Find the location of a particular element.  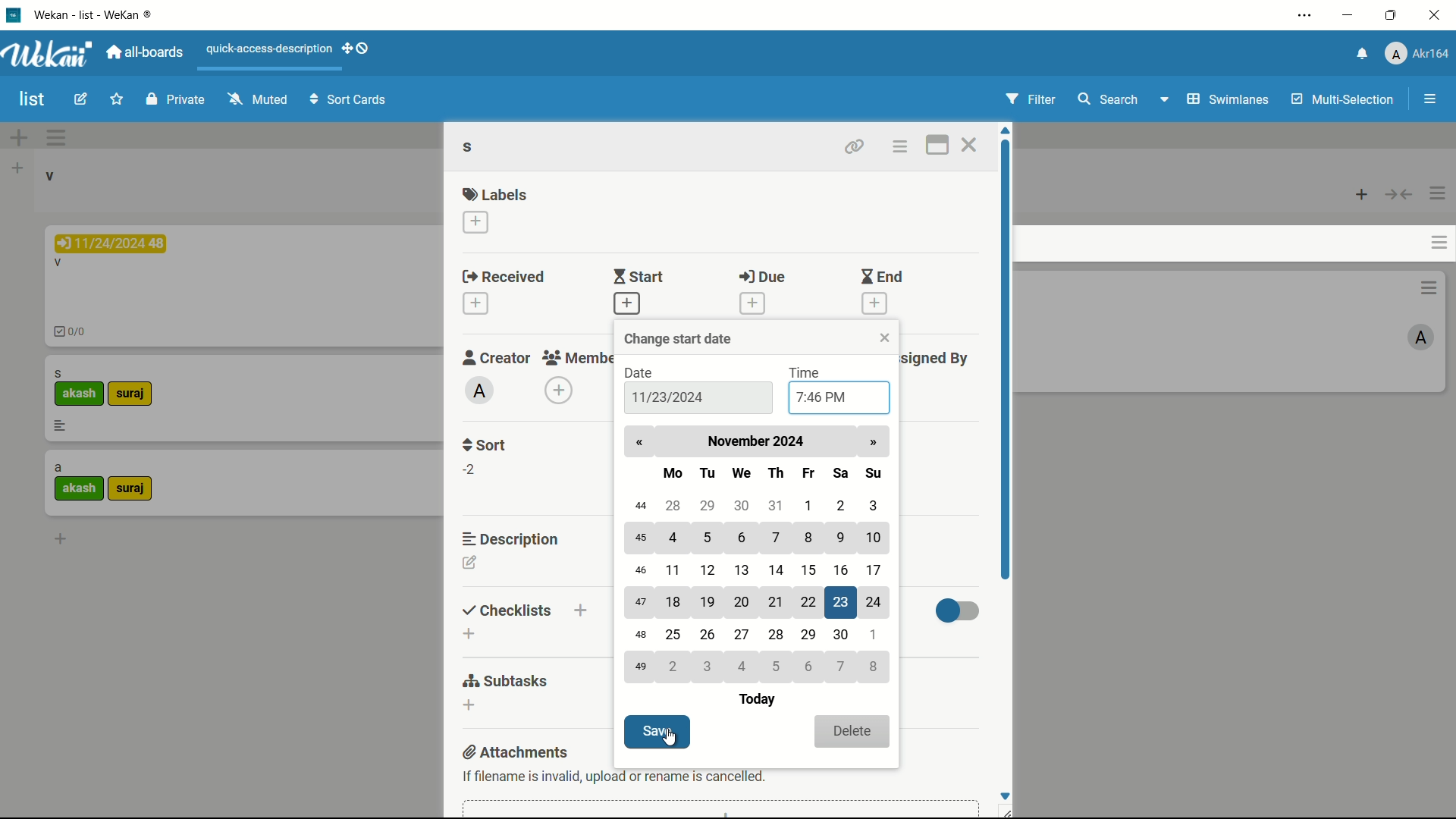

filter is located at coordinates (1034, 99).